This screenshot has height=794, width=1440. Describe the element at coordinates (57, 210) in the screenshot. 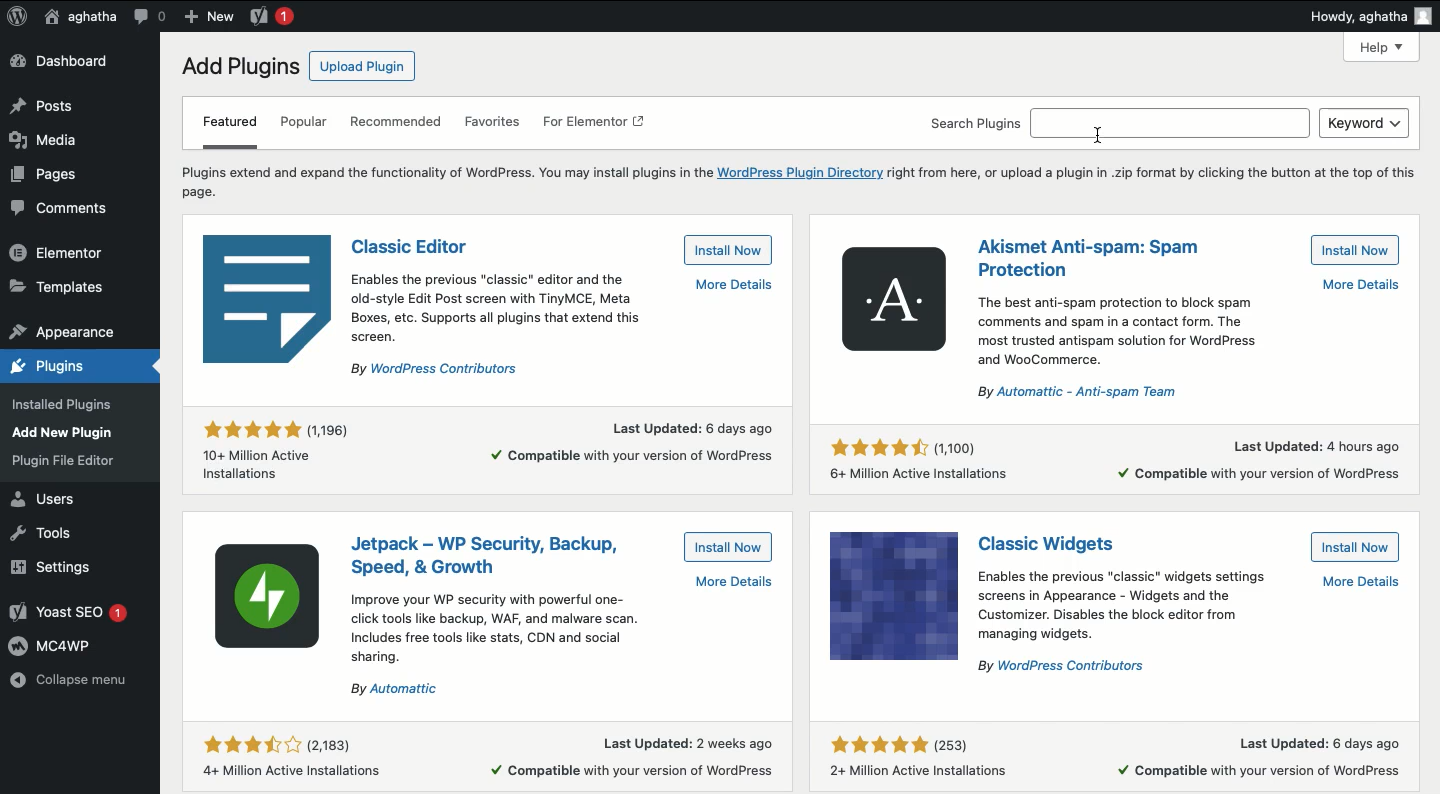

I see `Comments` at that location.